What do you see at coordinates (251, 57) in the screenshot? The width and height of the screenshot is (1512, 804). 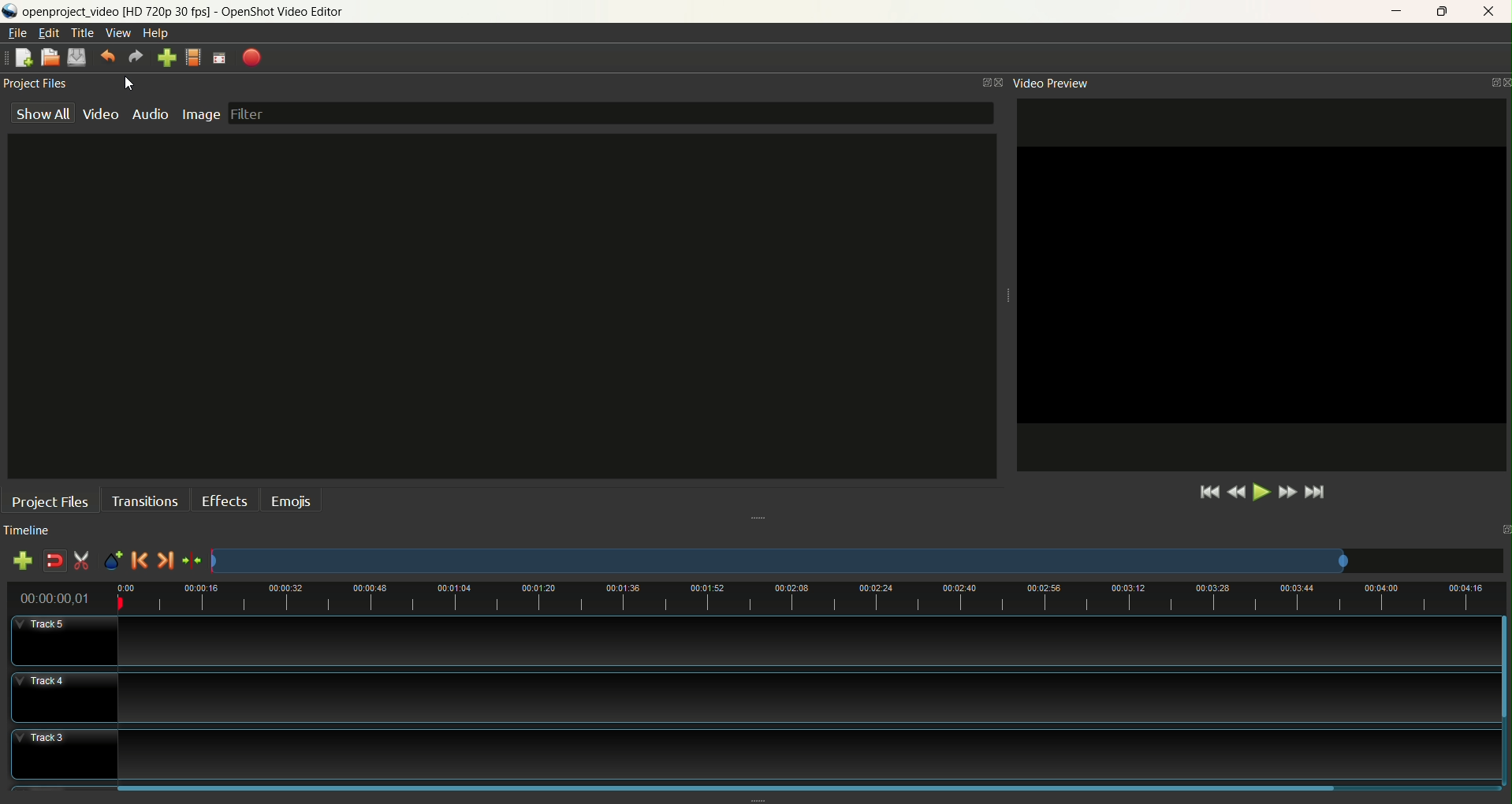 I see `export video` at bounding box center [251, 57].